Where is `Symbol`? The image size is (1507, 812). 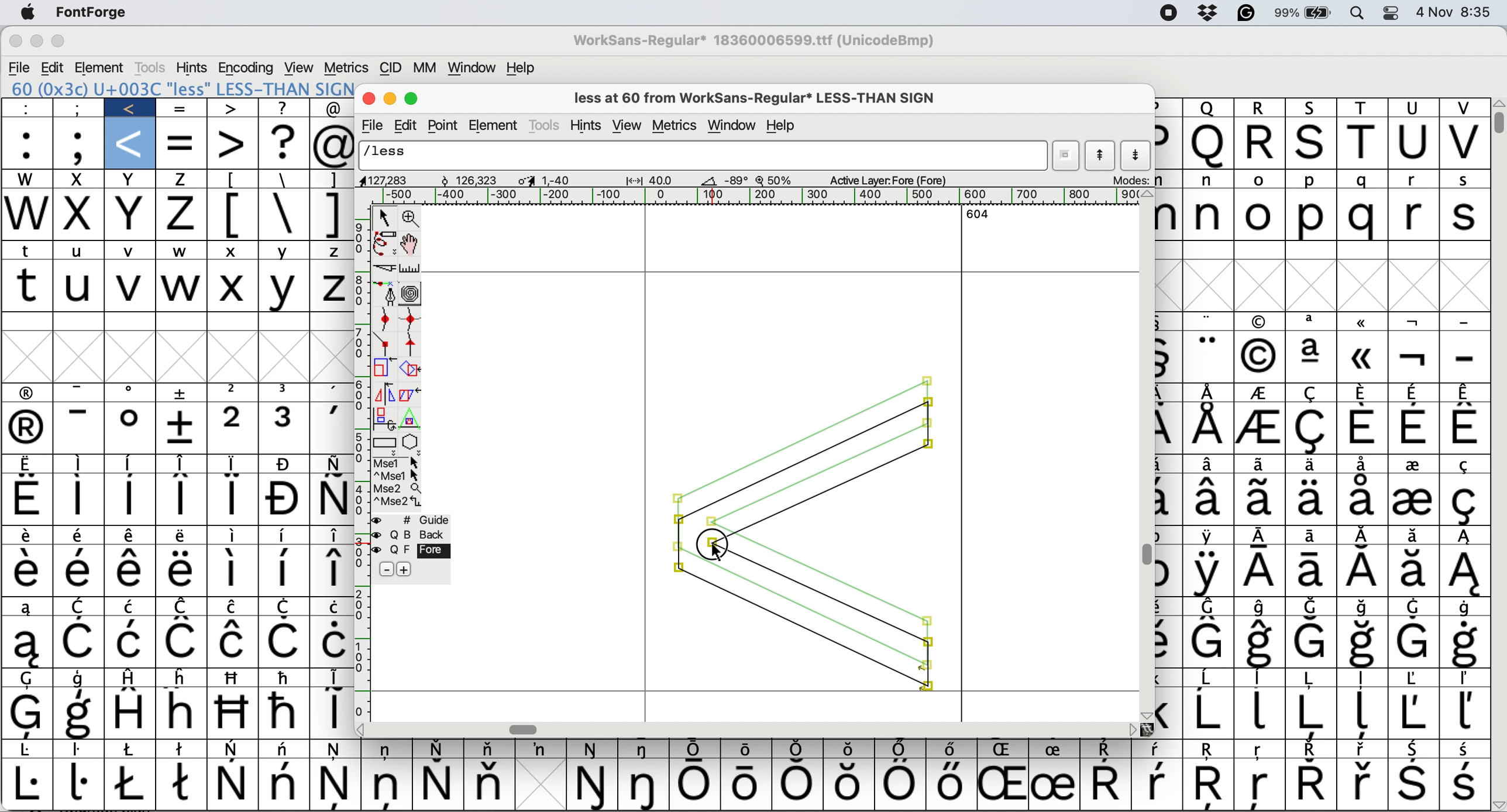
Symbol is located at coordinates (486, 783).